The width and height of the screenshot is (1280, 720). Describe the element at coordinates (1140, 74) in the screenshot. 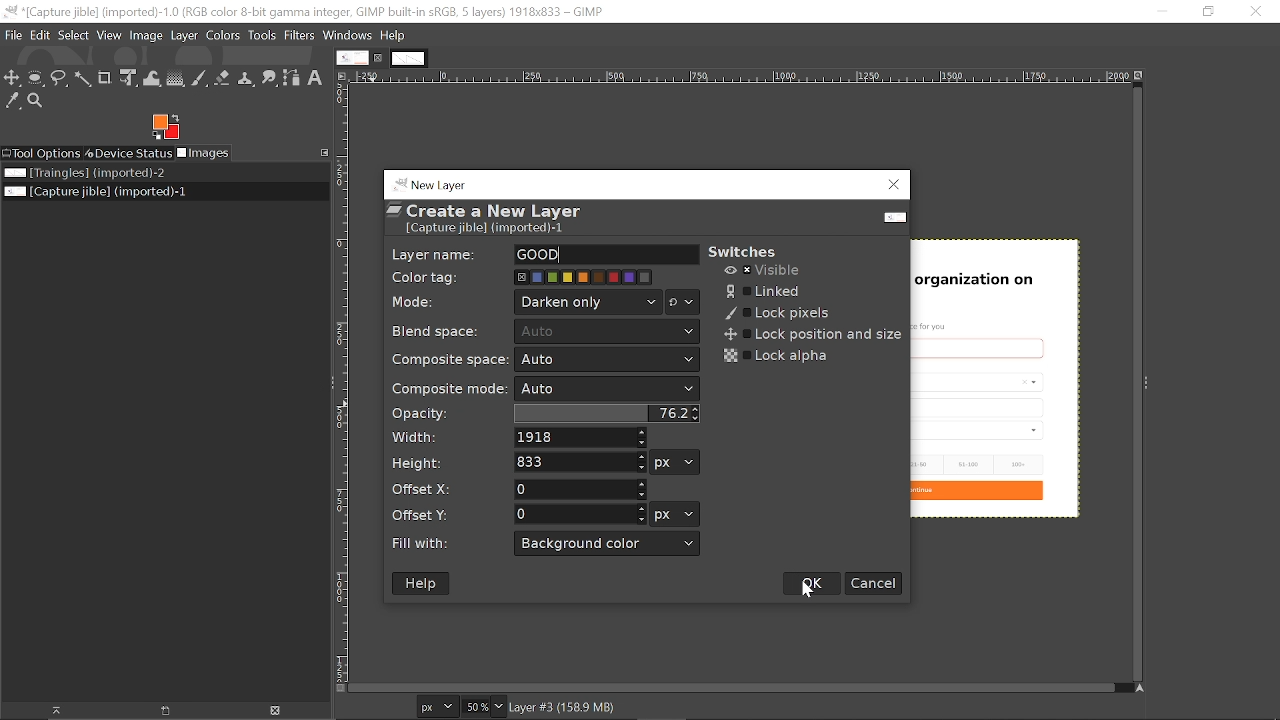

I see `Zoom image when window size changes` at that location.